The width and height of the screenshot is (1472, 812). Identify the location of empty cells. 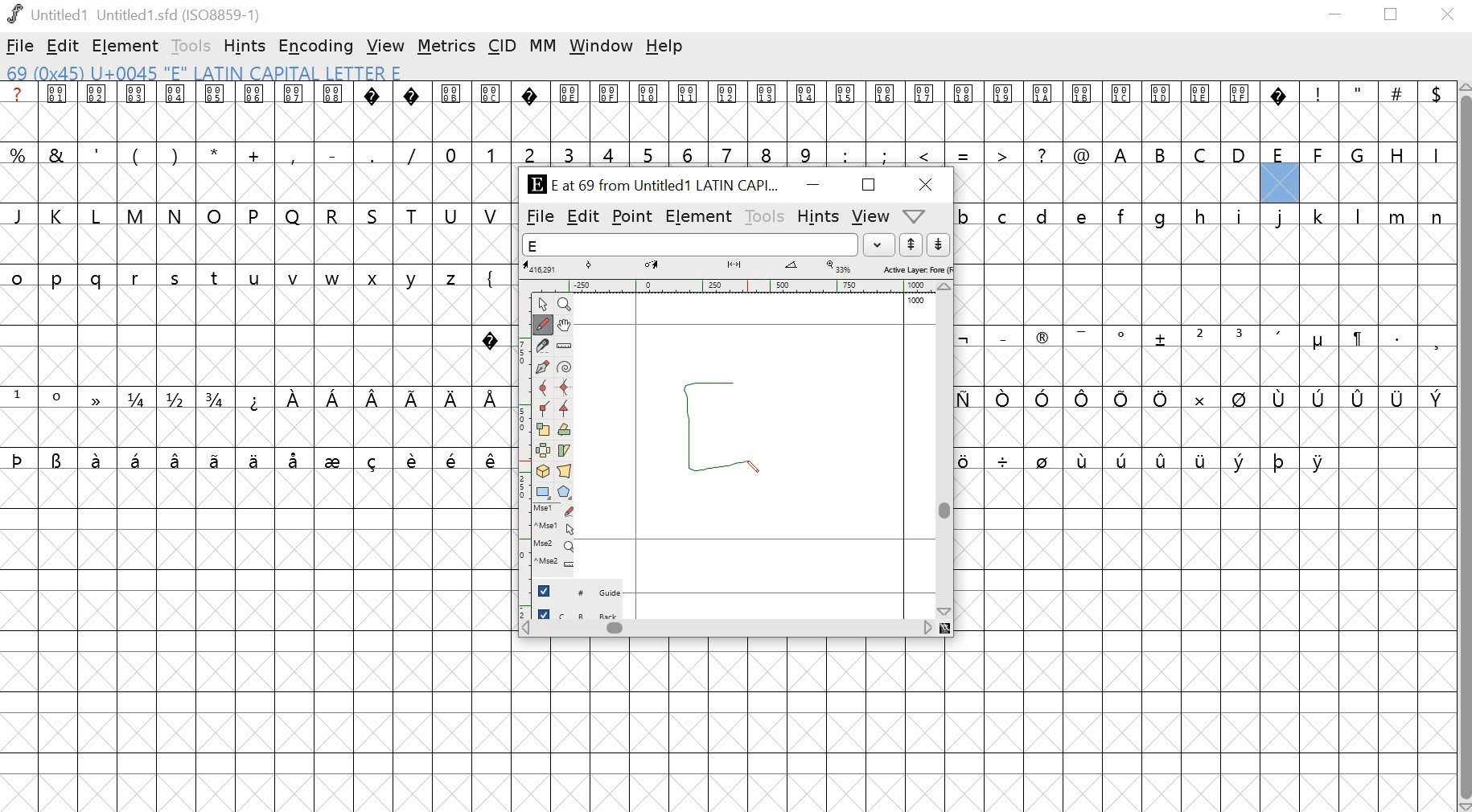
(1207, 428).